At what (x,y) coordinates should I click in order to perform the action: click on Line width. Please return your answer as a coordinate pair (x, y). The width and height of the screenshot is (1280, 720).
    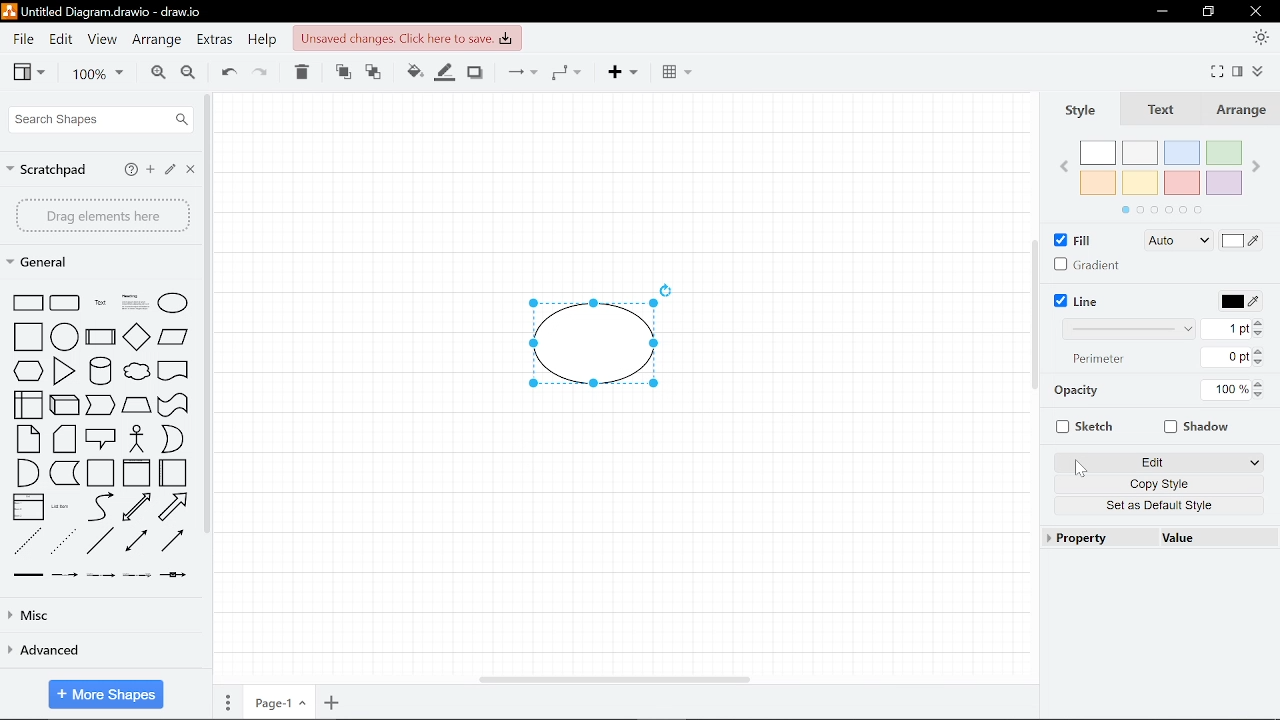
    Looking at the image, I should click on (1128, 329).